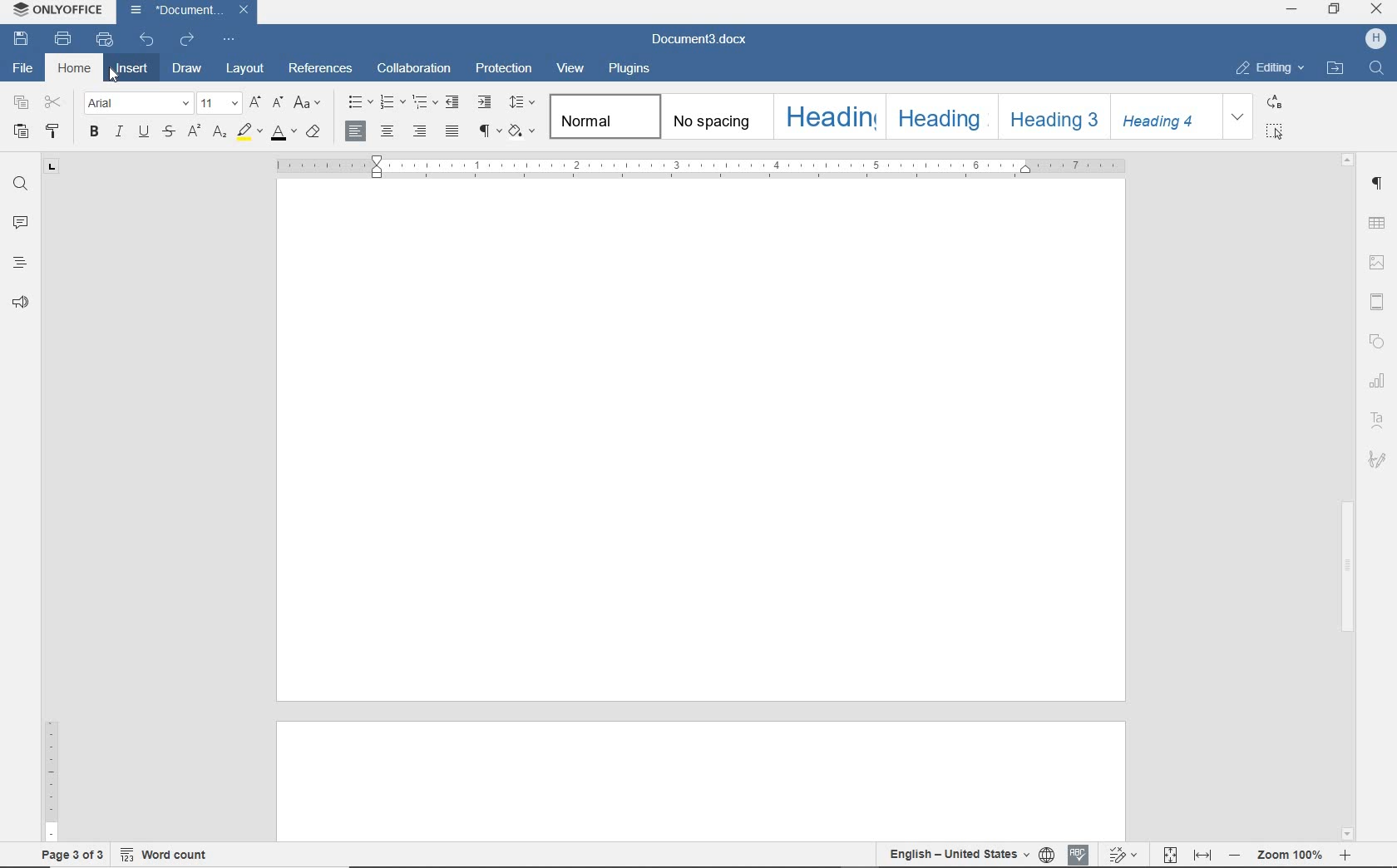 Image resolution: width=1397 pixels, height=868 pixels. What do you see at coordinates (1346, 496) in the screenshot?
I see `SCROLLBAR` at bounding box center [1346, 496].